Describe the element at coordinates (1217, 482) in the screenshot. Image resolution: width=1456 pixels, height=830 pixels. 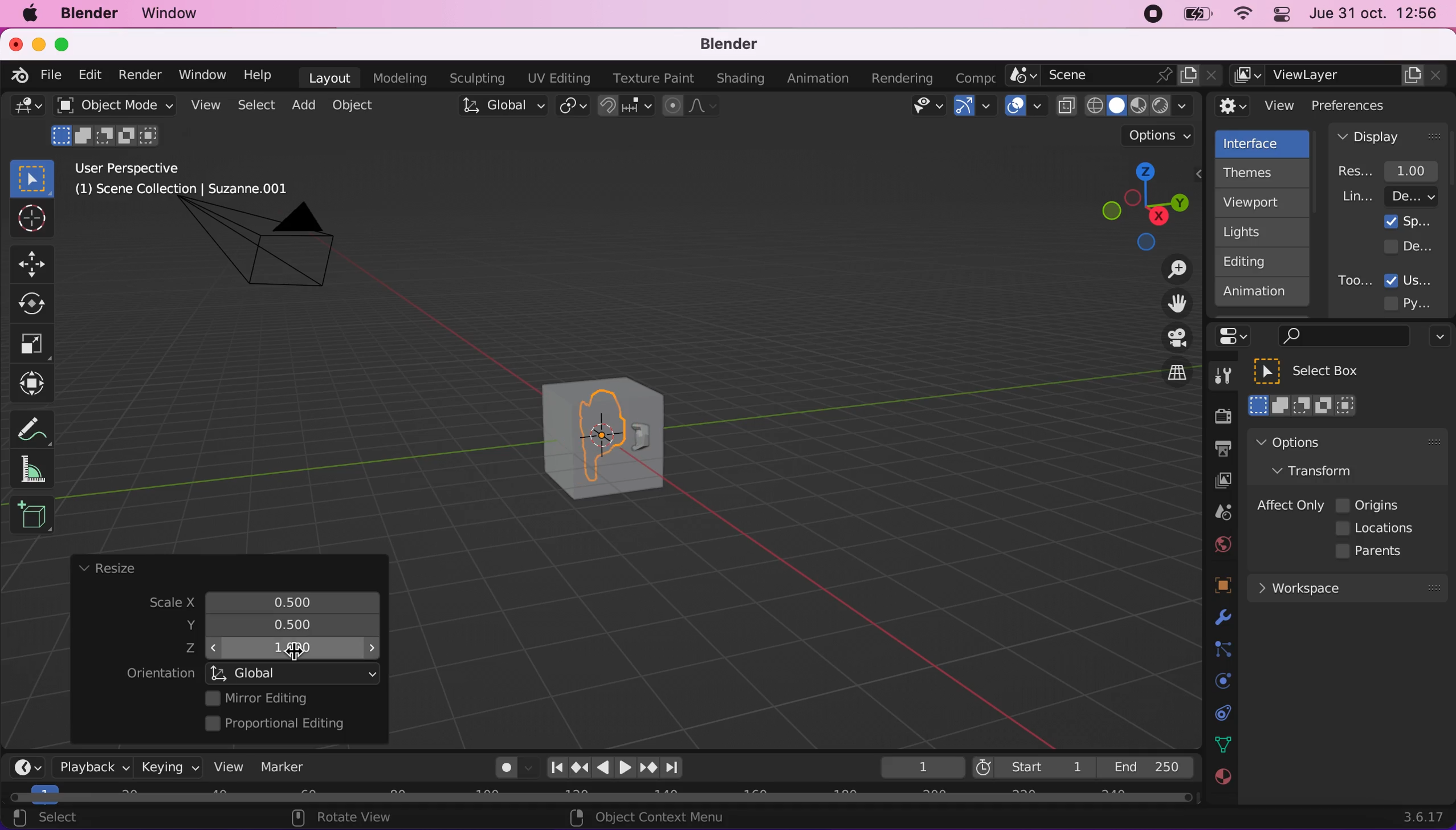
I see `view layer` at that location.